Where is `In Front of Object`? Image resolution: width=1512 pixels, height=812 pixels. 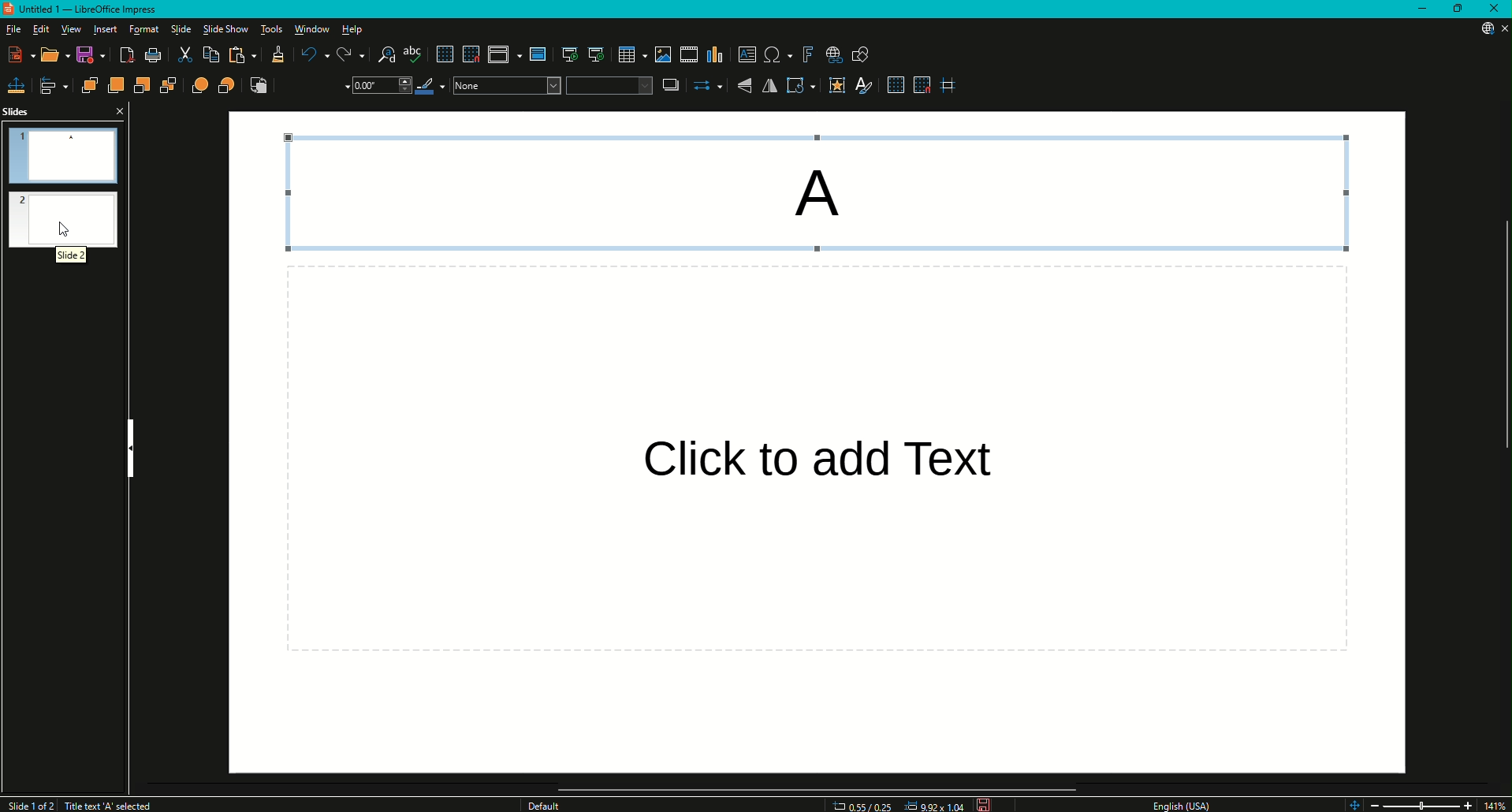 In Front of Object is located at coordinates (197, 85).